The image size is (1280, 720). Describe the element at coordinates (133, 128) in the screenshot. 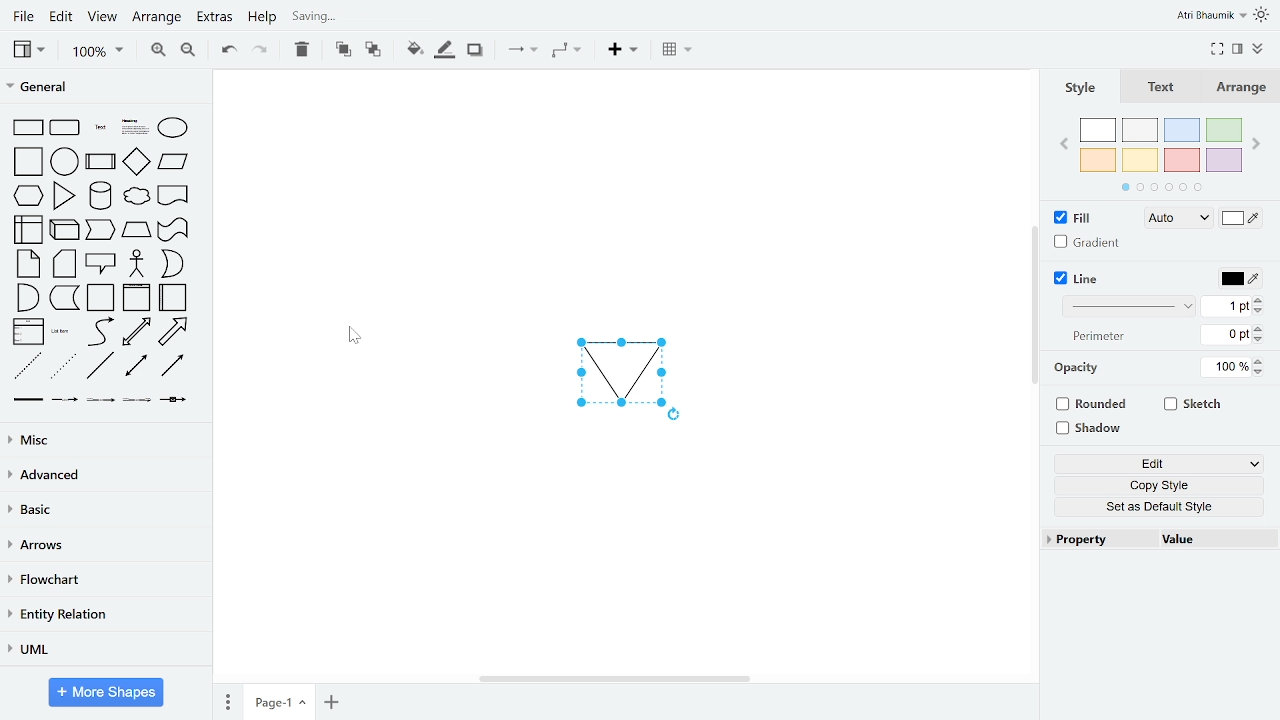

I see `heading` at that location.